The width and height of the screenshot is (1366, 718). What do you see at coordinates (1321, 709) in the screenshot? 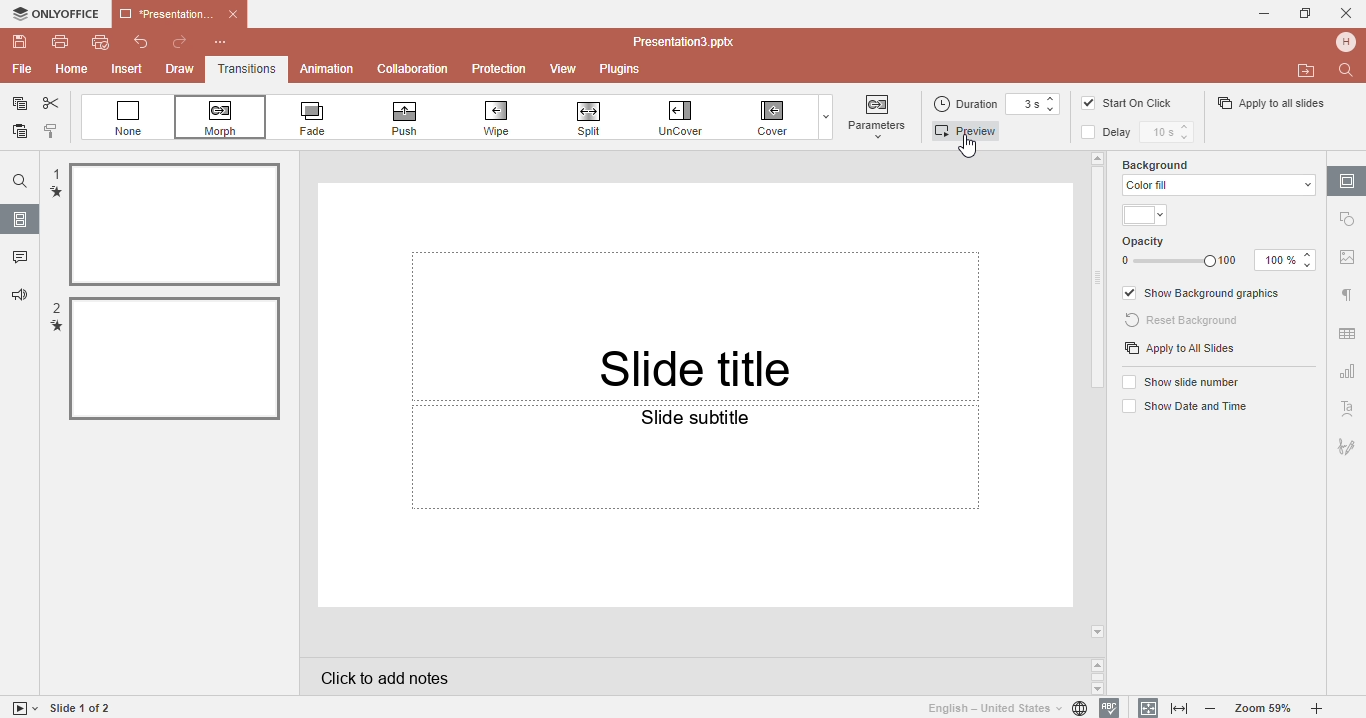
I see `Zoom in` at bounding box center [1321, 709].